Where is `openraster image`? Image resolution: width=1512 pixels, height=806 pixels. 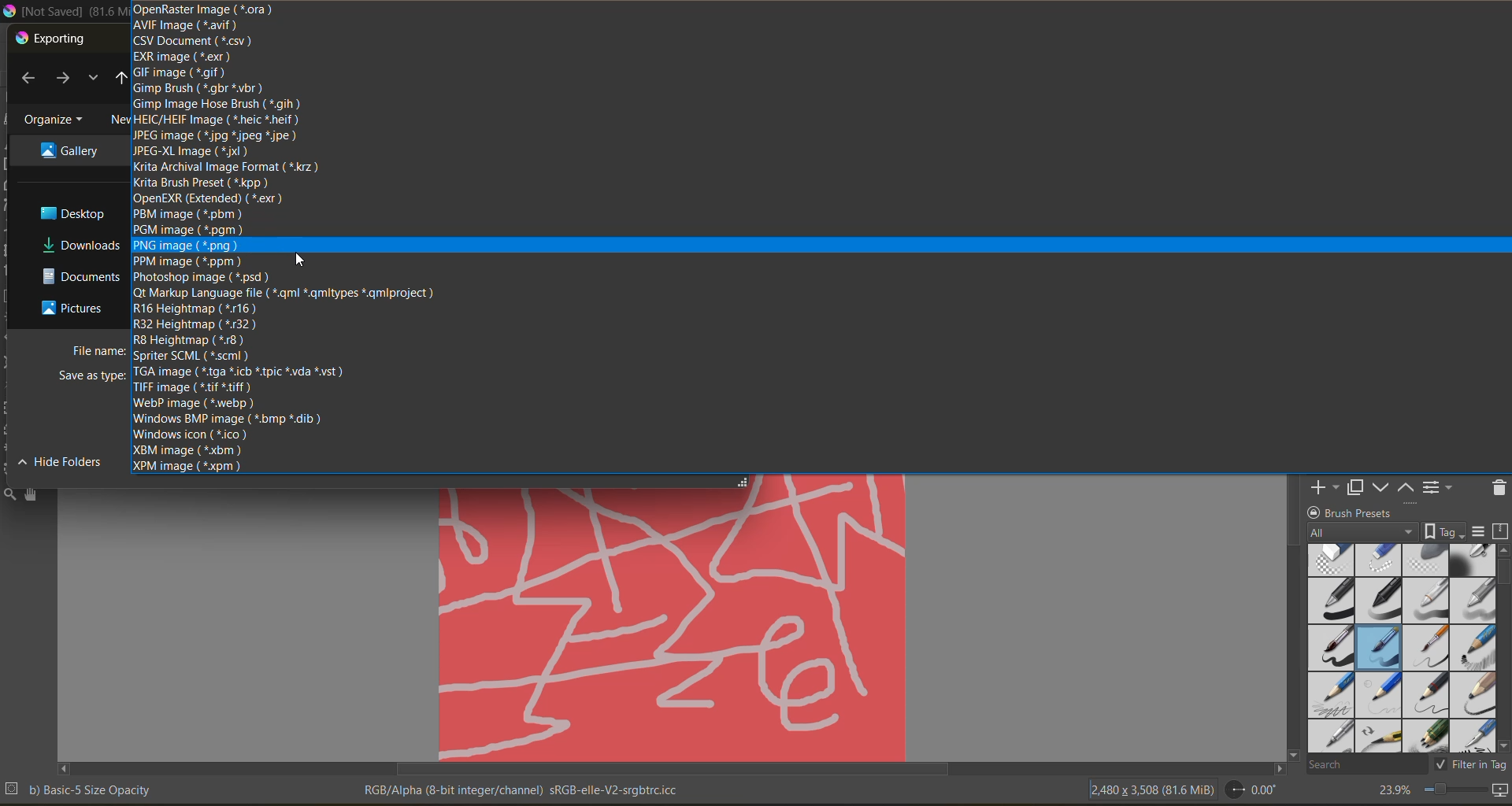
openraster image is located at coordinates (204, 9).